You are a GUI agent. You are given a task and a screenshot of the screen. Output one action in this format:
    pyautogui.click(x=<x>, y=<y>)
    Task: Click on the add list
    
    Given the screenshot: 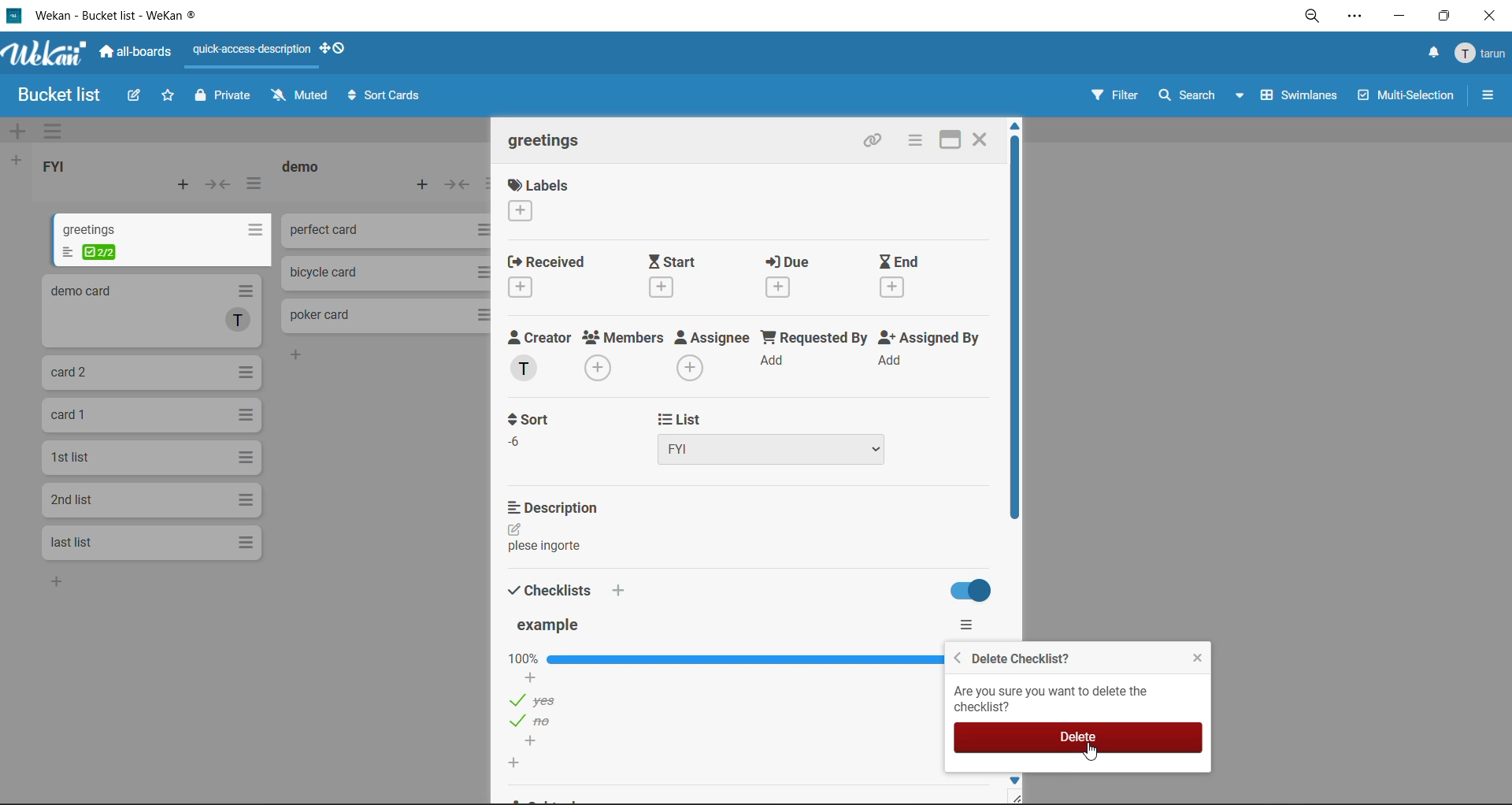 What is the action you would take?
    pyautogui.click(x=14, y=161)
    